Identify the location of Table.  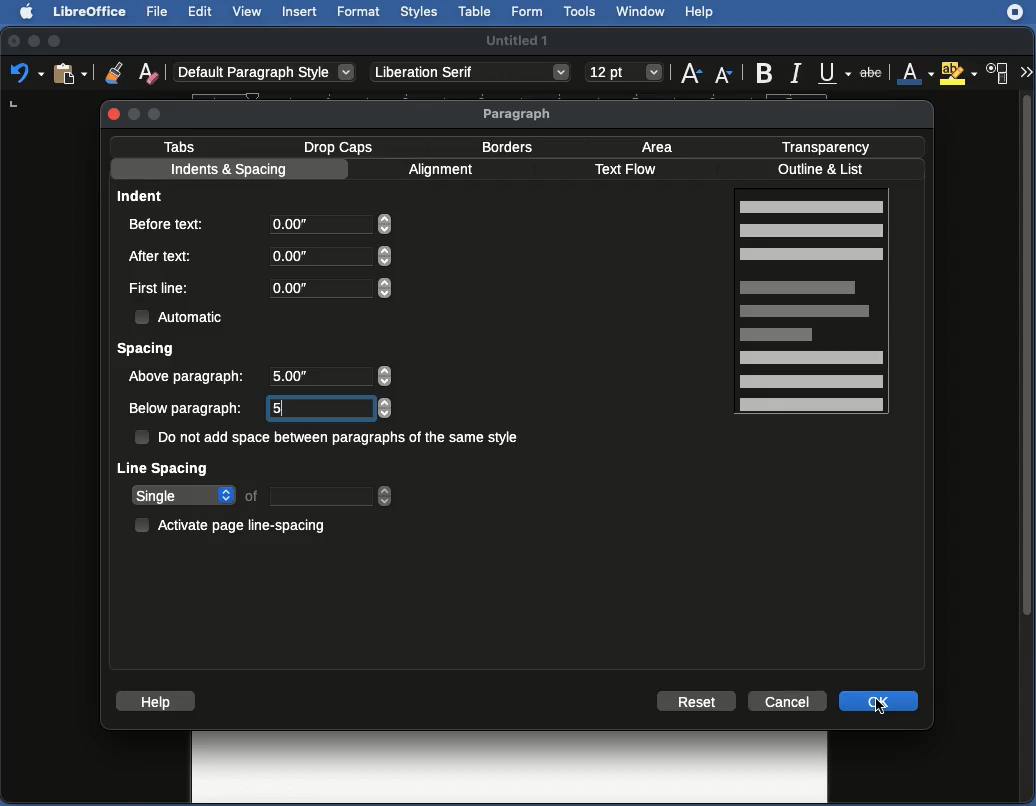
(475, 12).